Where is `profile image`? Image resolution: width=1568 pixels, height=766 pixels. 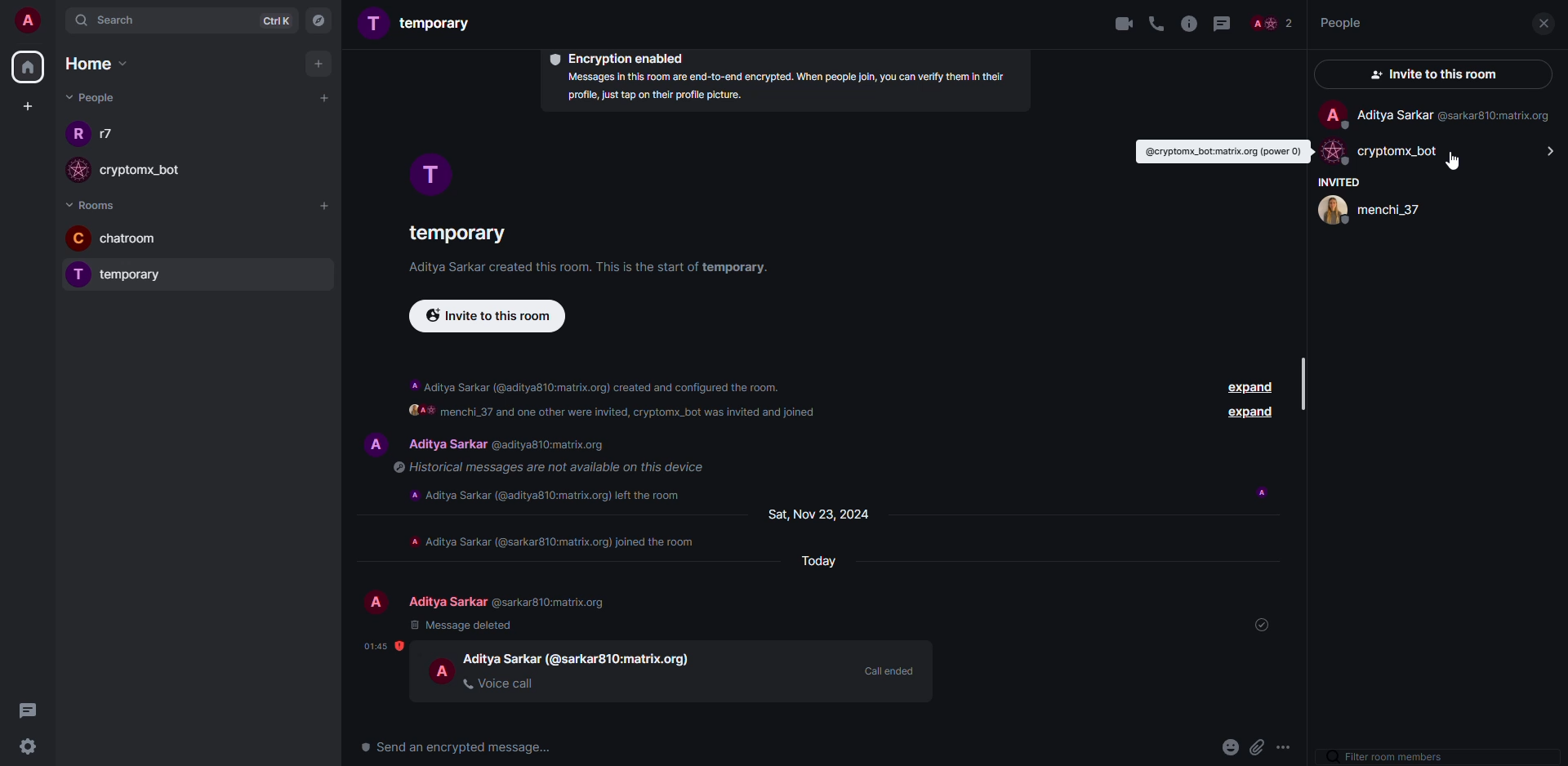 profile image is located at coordinates (81, 170).